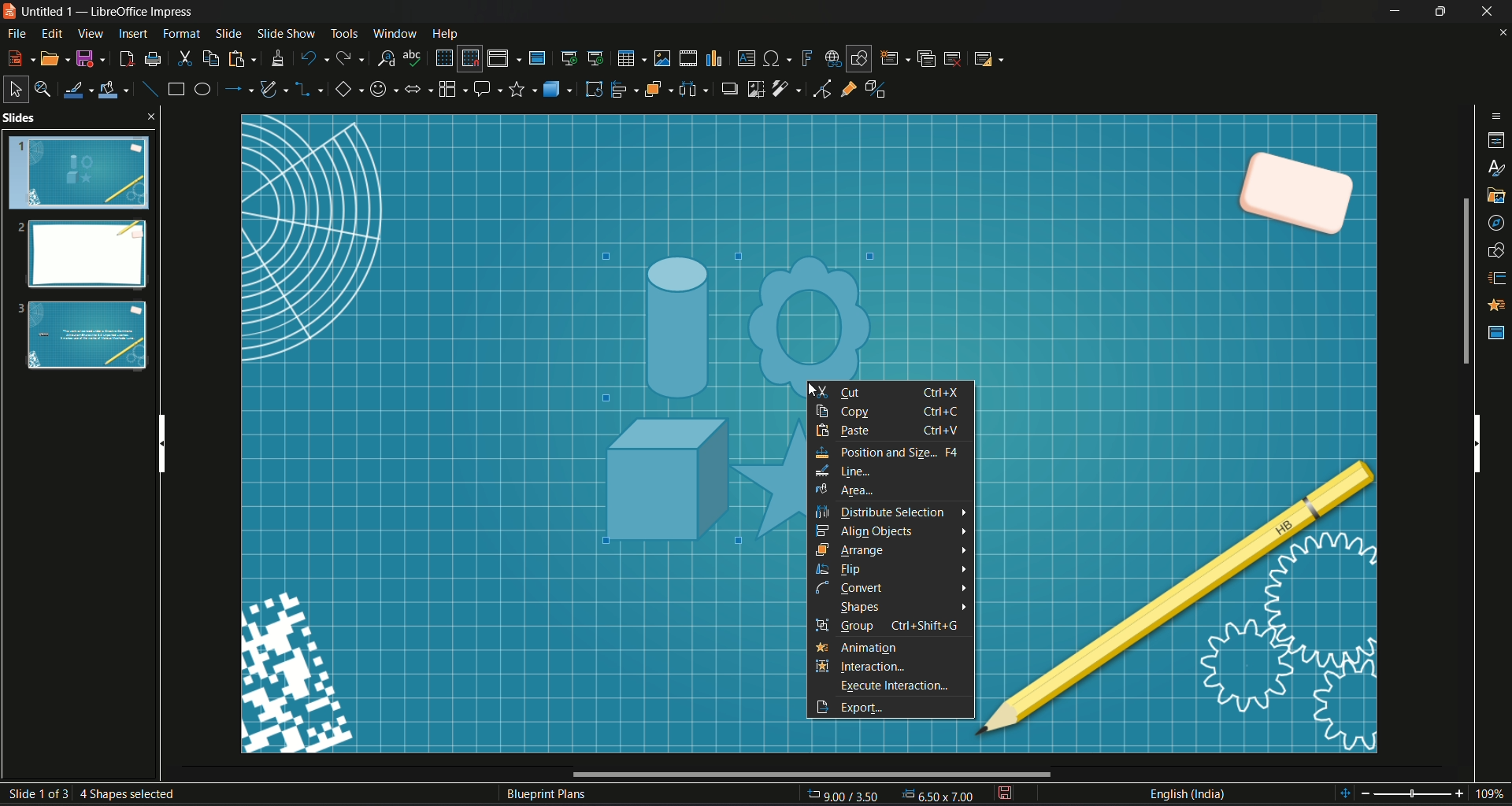 The image size is (1512, 806). I want to click on Slide show, so click(285, 31).